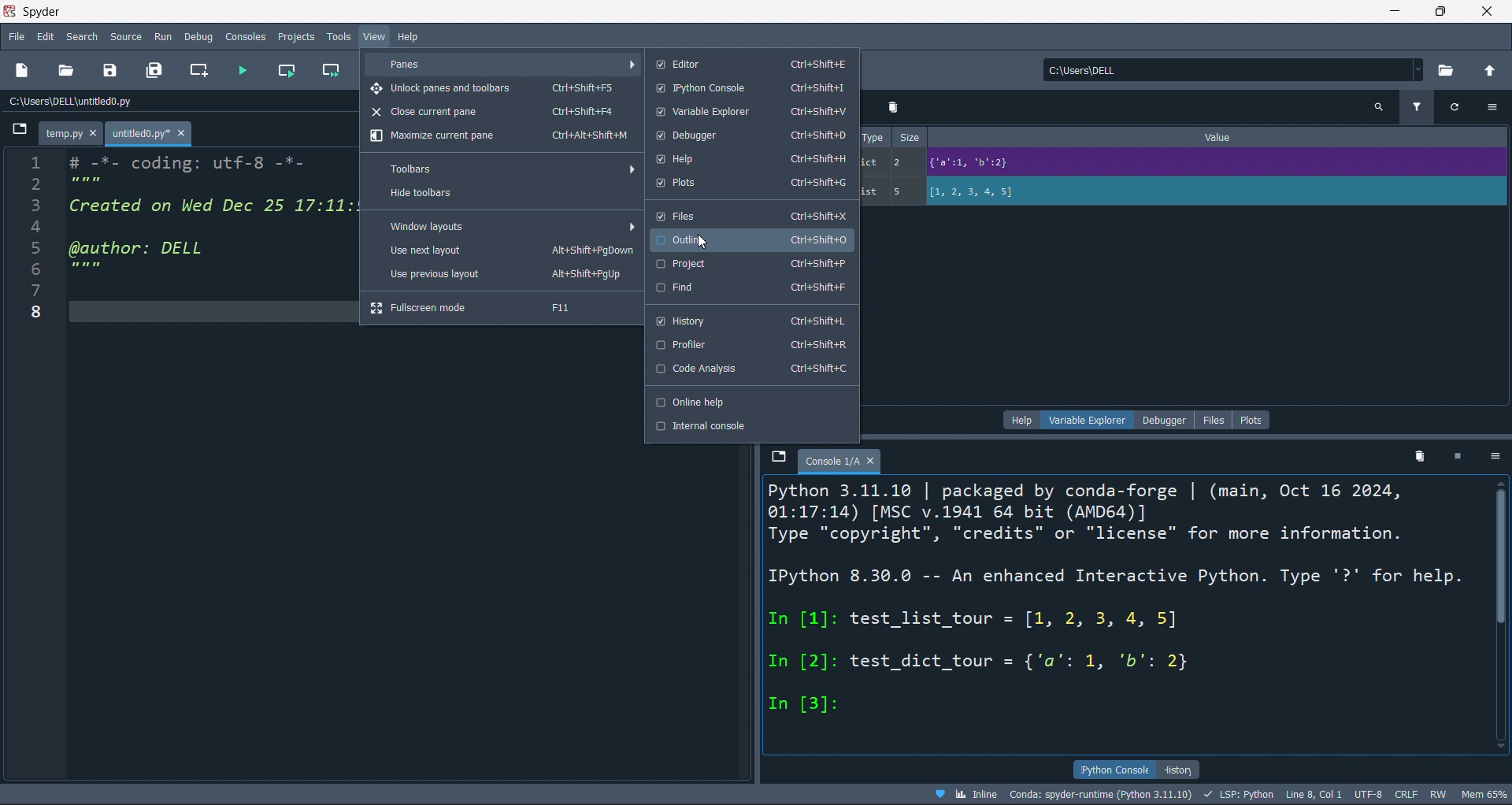 The height and width of the screenshot is (805, 1512). What do you see at coordinates (744, 401) in the screenshot?
I see `online help` at bounding box center [744, 401].